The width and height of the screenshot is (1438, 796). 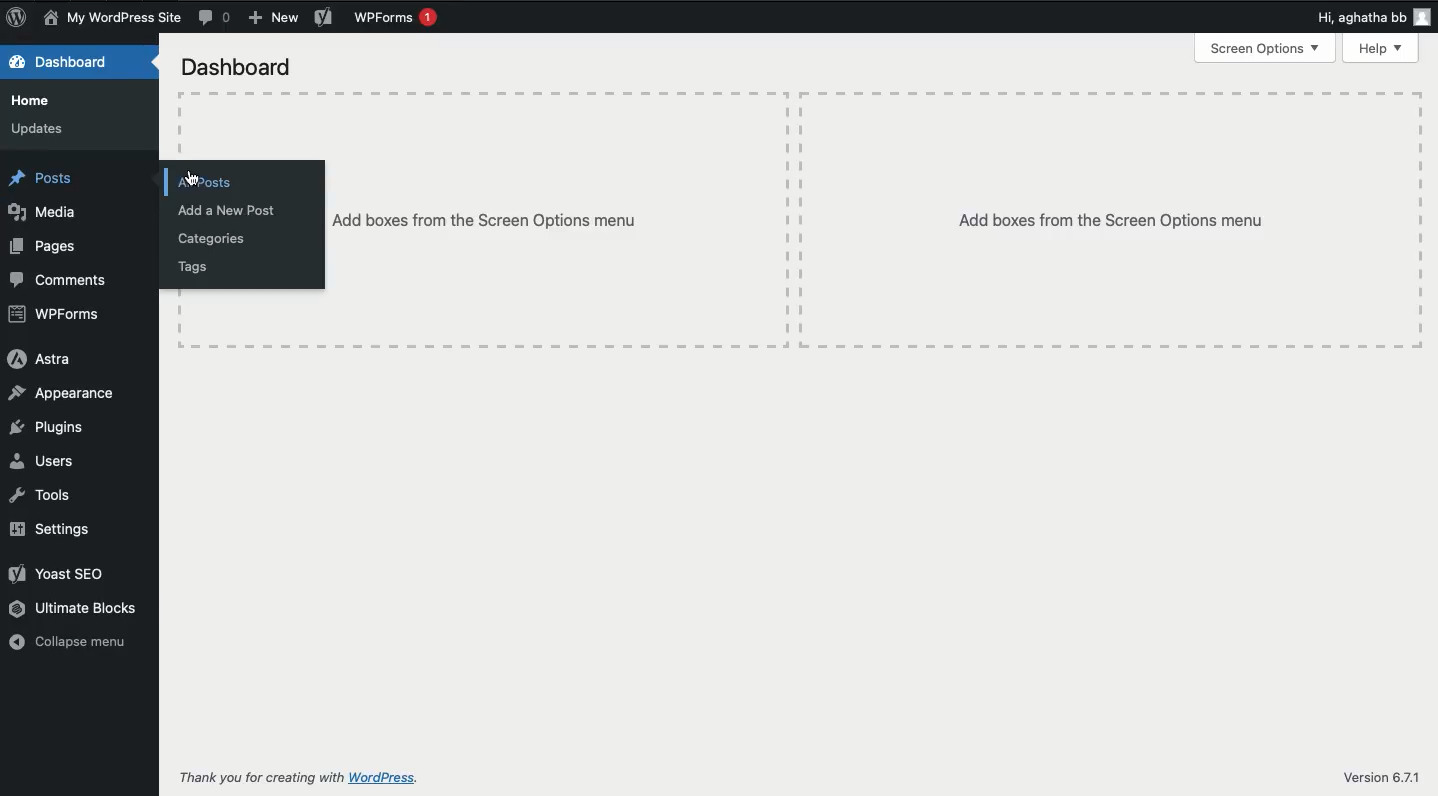 I want to click on Posts, so click(x=44, y=179).